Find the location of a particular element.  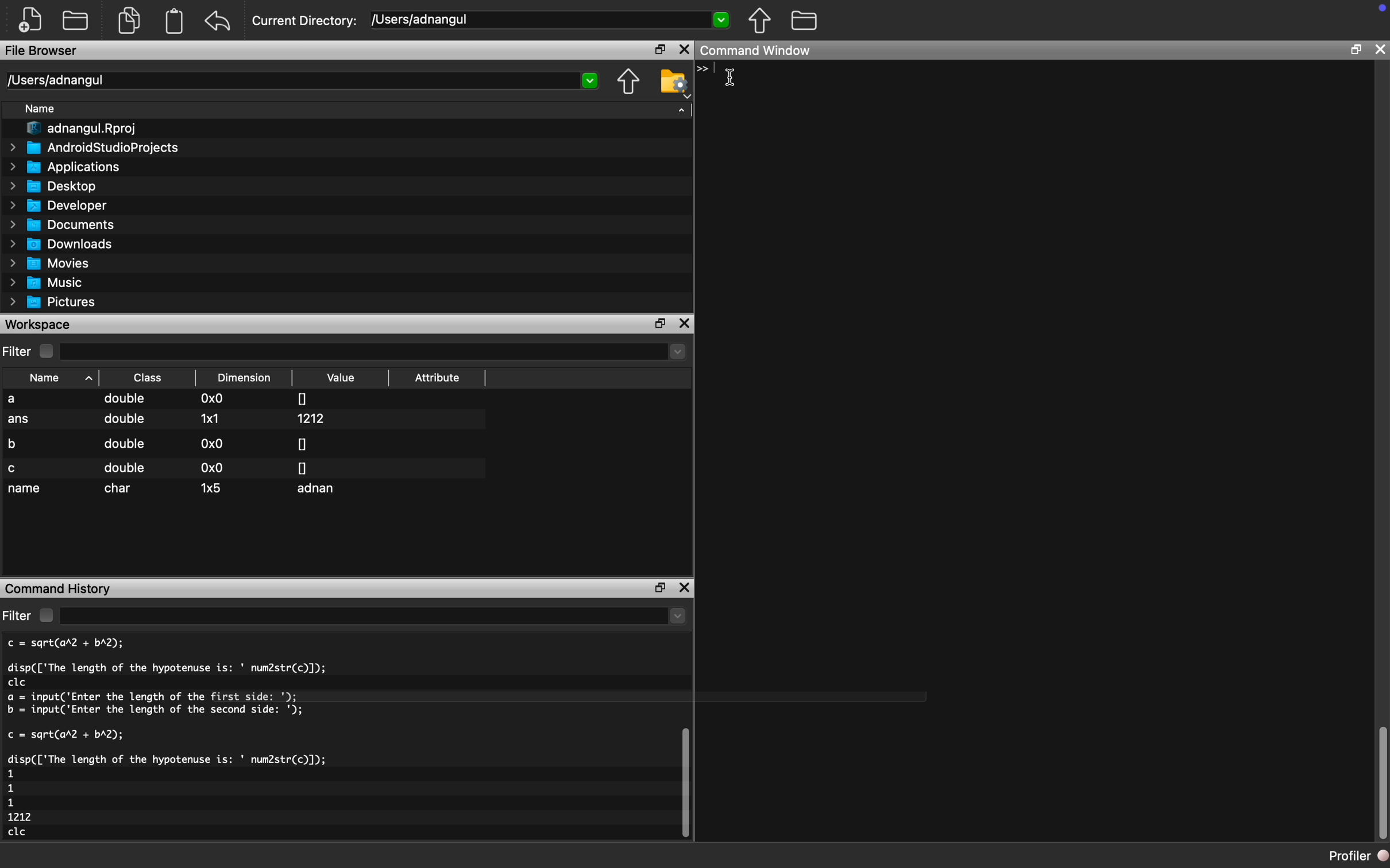

I" adnangul.Rproj is located at coordinates (89, 129).